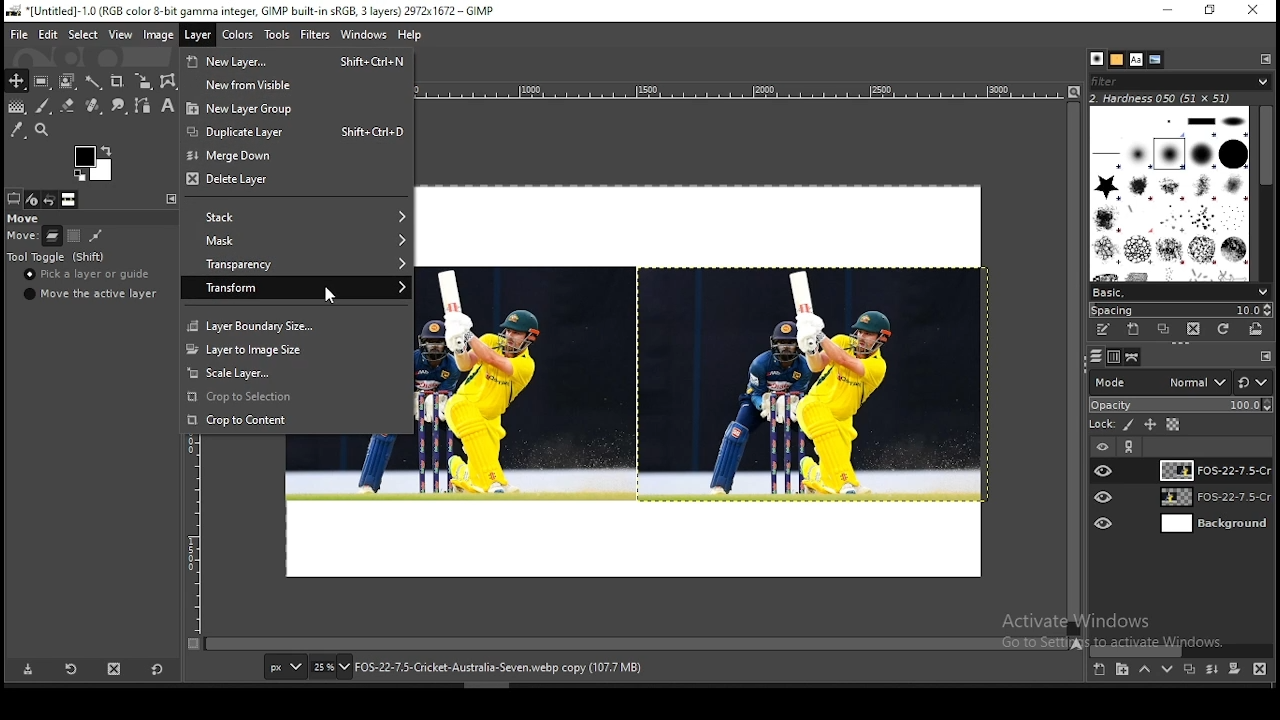  Describe the element at coordinates (253, 59) in the screenshot. I see `new layer` at that location.